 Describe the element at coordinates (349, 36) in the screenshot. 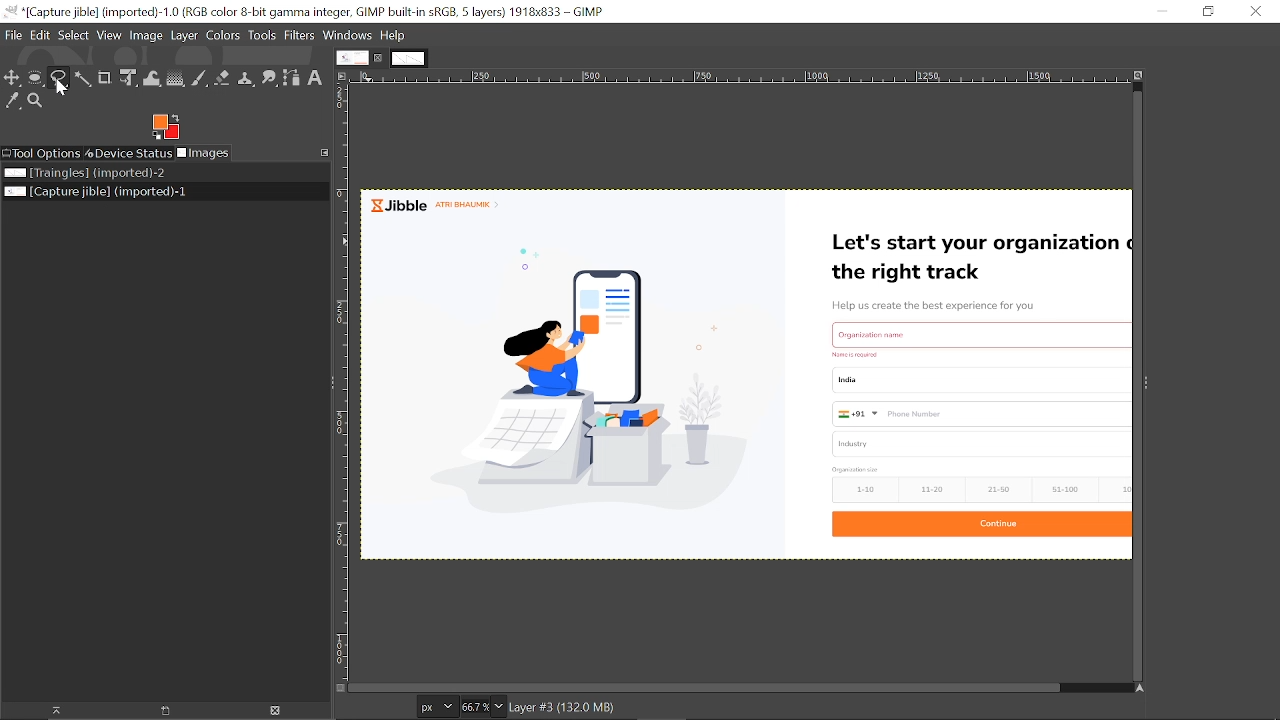

I see `Windows` at that location.